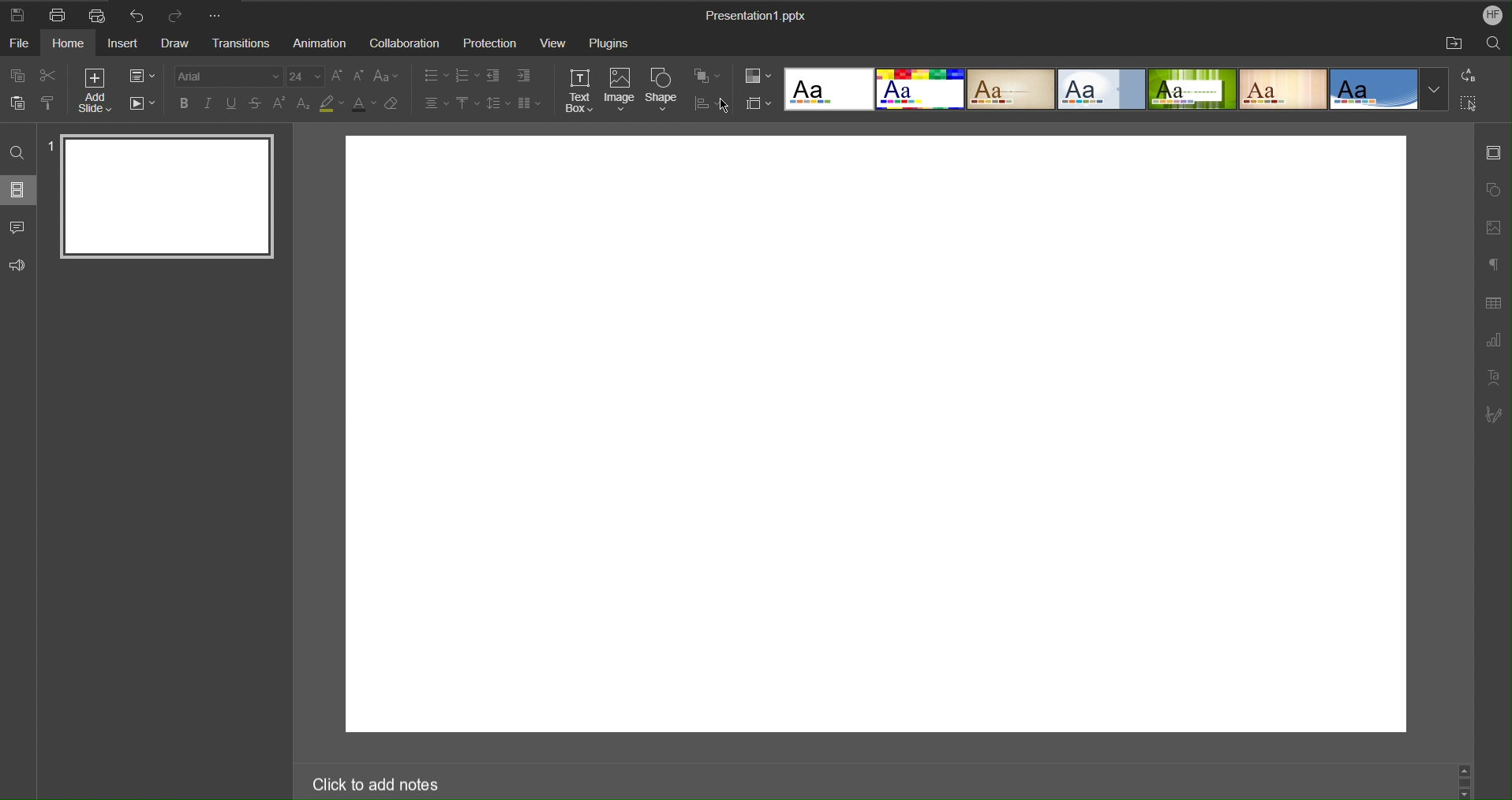  What do you see at coordinates (523, 75) in the screenshot?
I see `Increase Indent` at bounding box center [523, 75].